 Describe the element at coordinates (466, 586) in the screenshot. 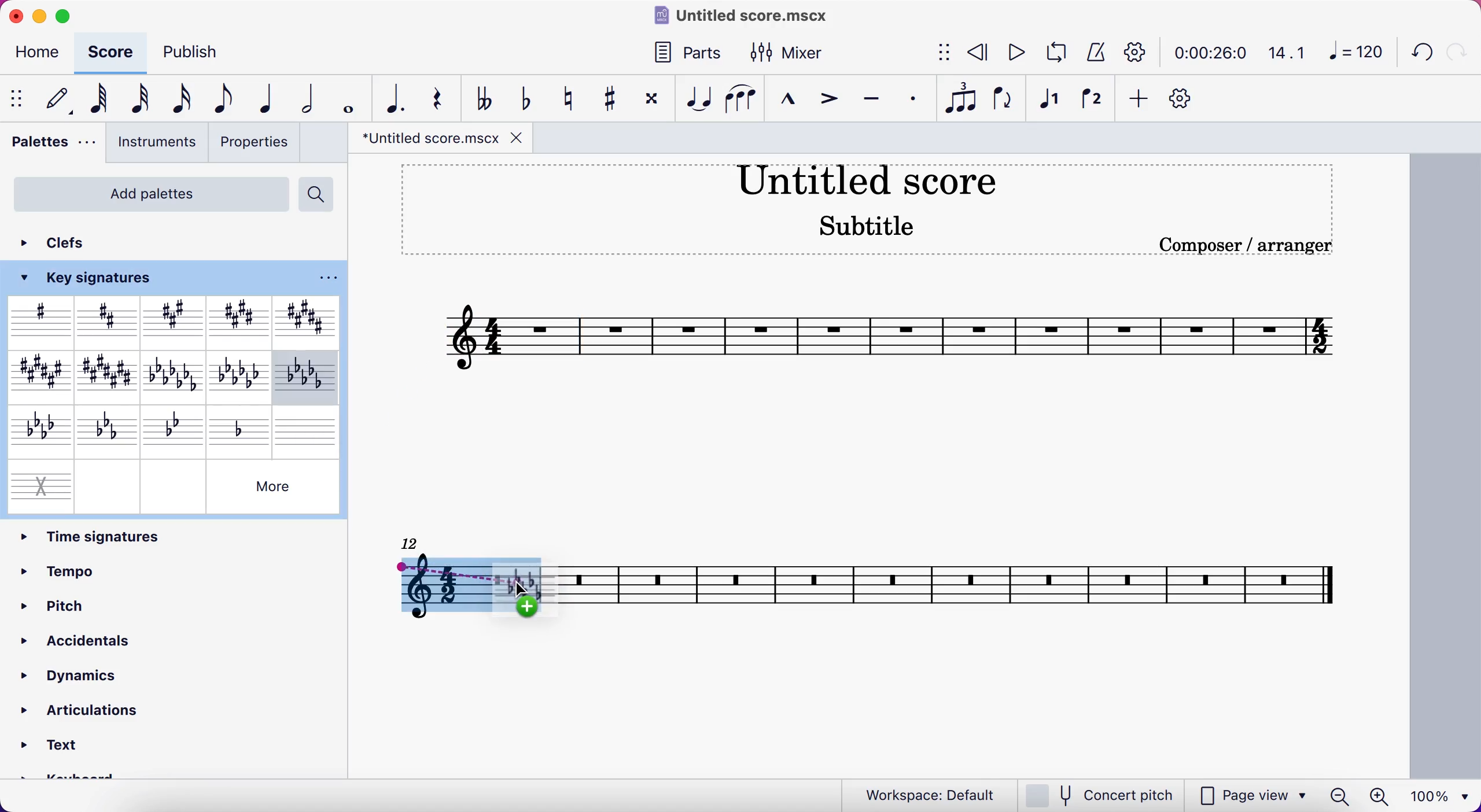

I see `applied key signature` at that location.